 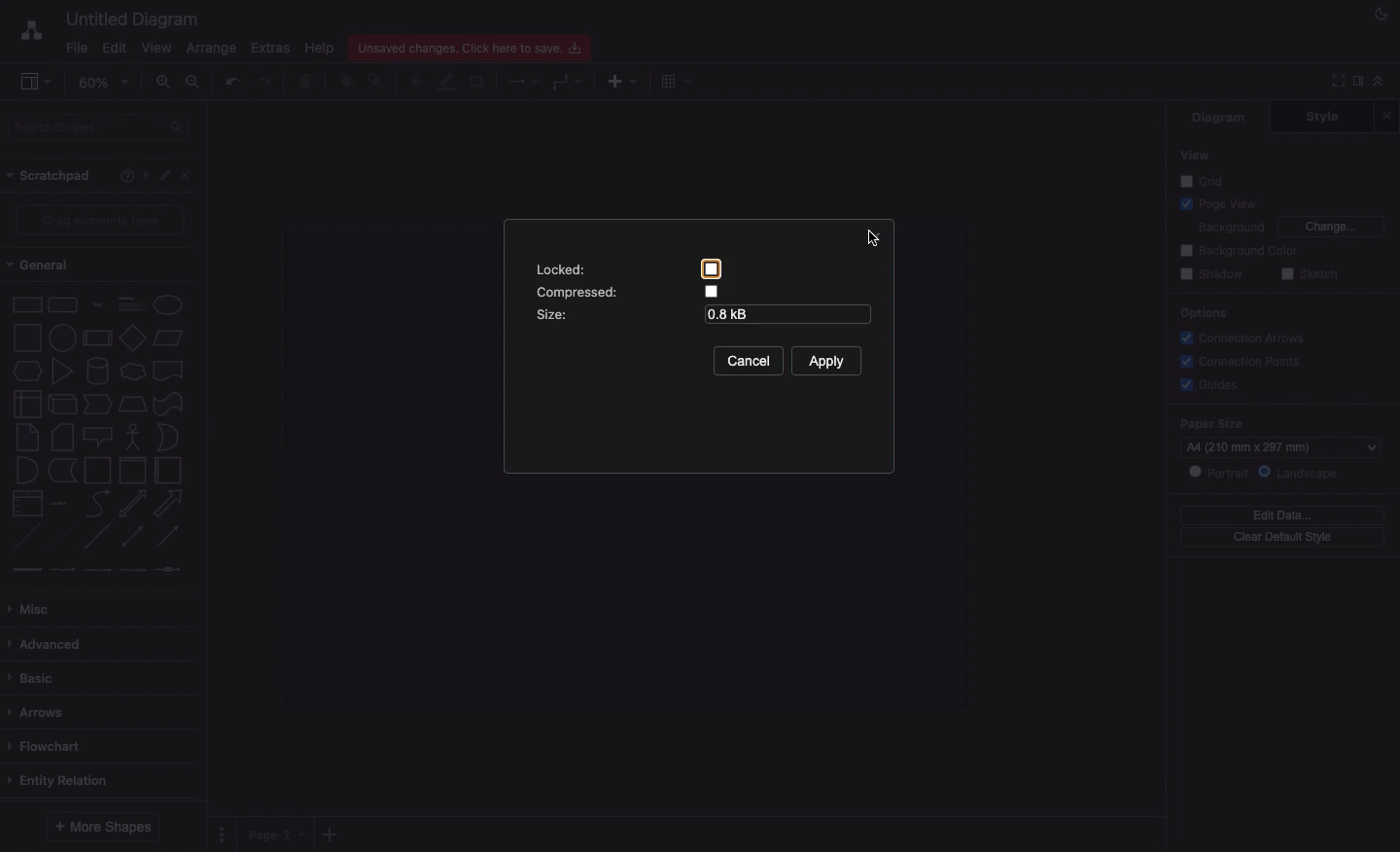 I want to click on Fill, so click(x=415, y=82).